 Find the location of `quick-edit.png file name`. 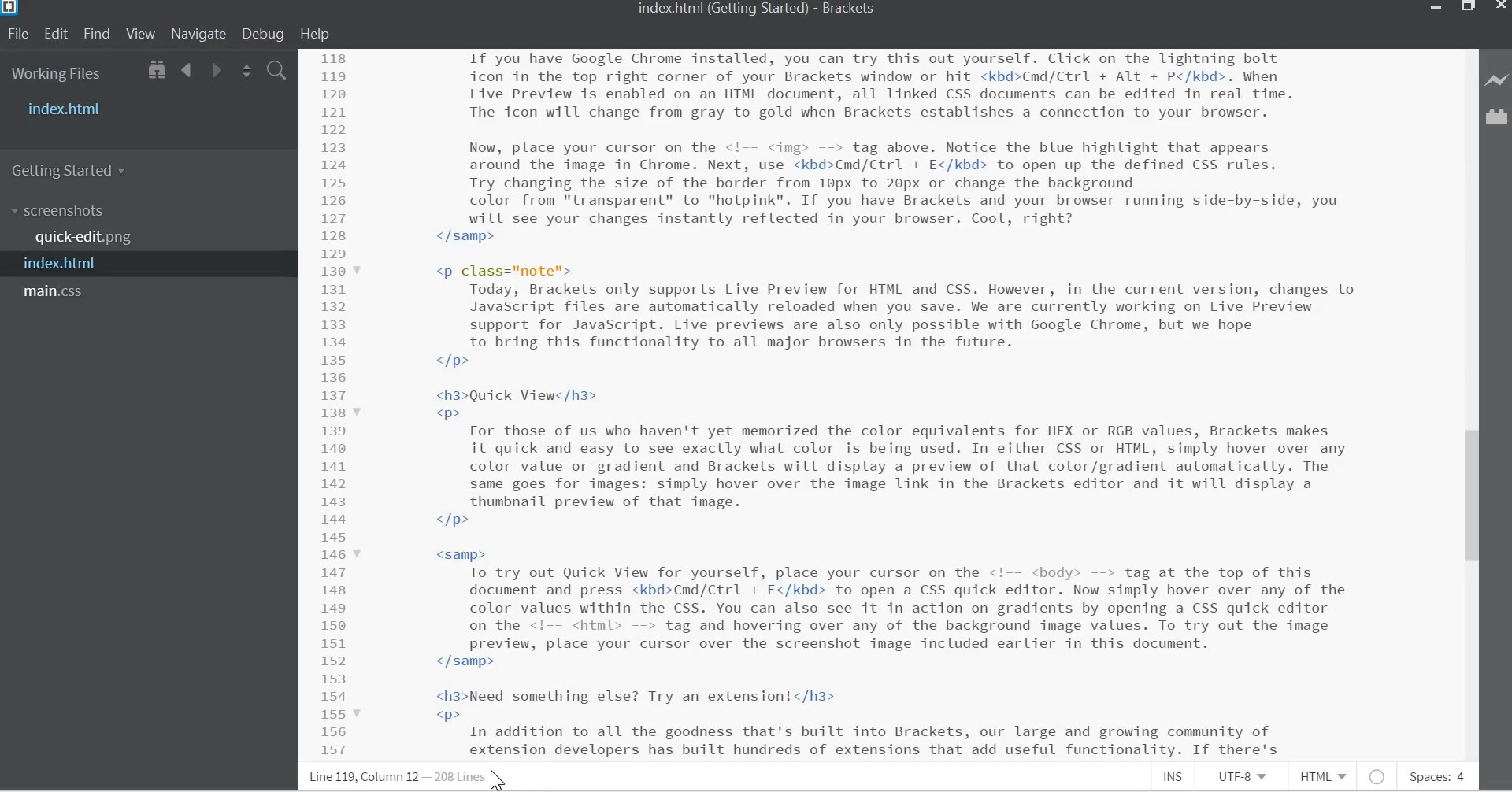

quick-edit.png file name is located at coordinates (89, 238).